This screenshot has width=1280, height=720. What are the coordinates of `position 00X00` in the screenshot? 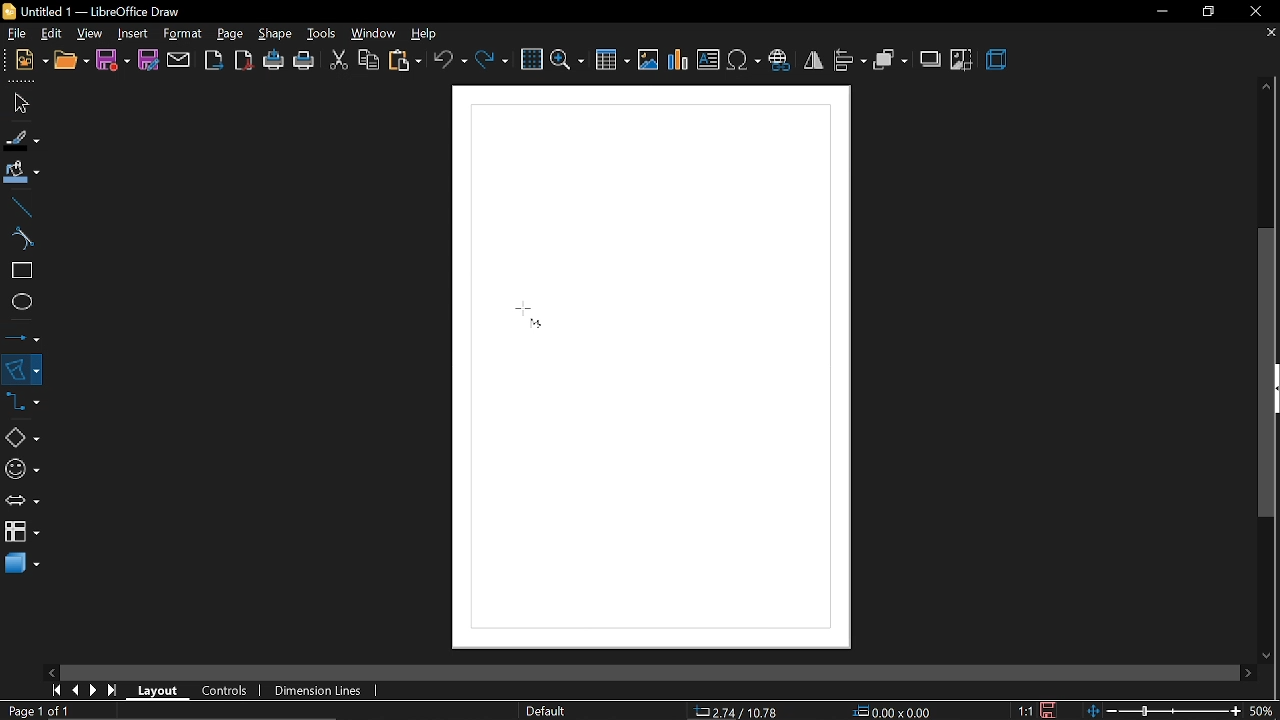 It's located at (892, 708).